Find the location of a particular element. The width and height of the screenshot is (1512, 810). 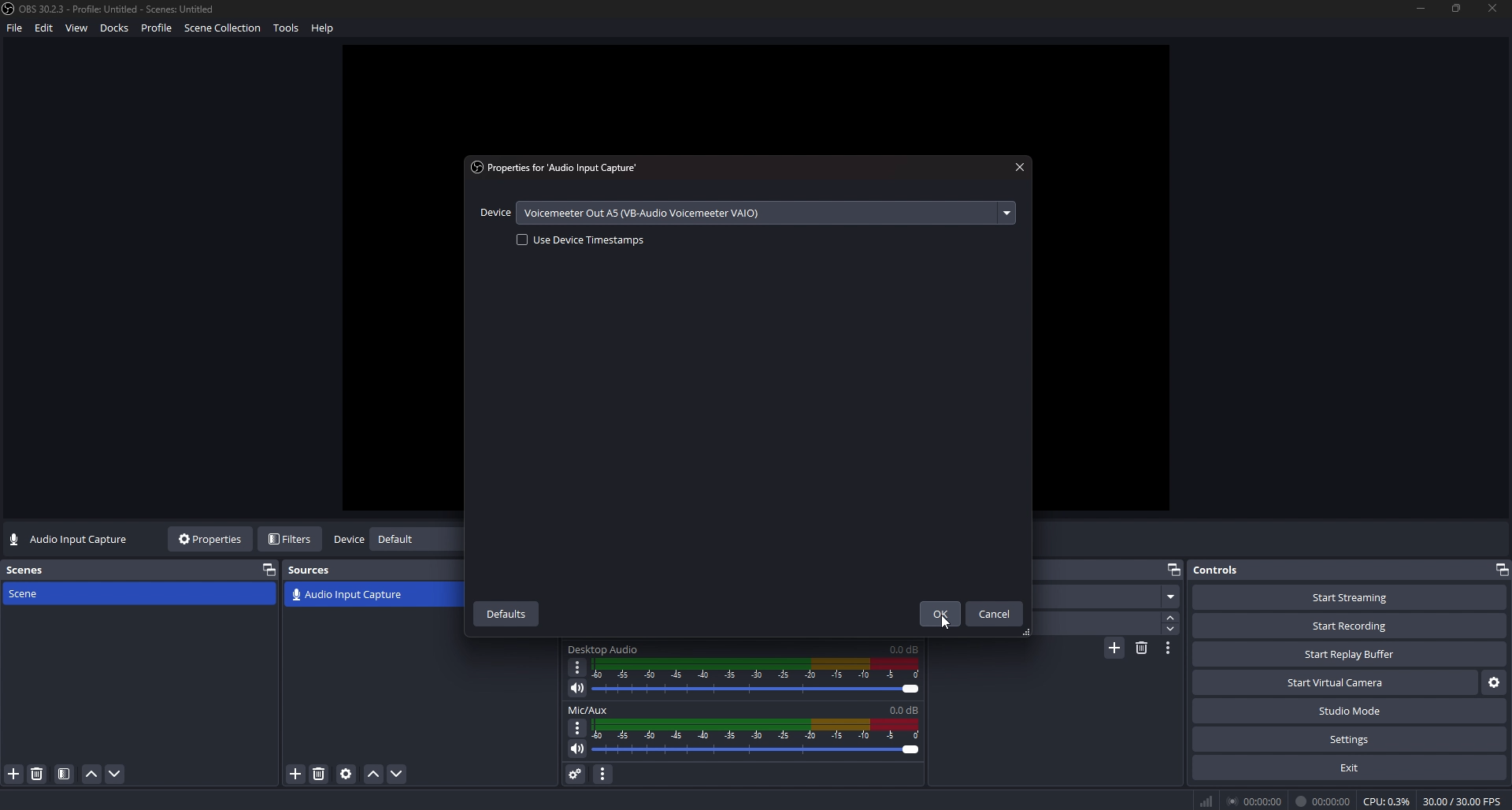

options is located at coordinates (576, 726).